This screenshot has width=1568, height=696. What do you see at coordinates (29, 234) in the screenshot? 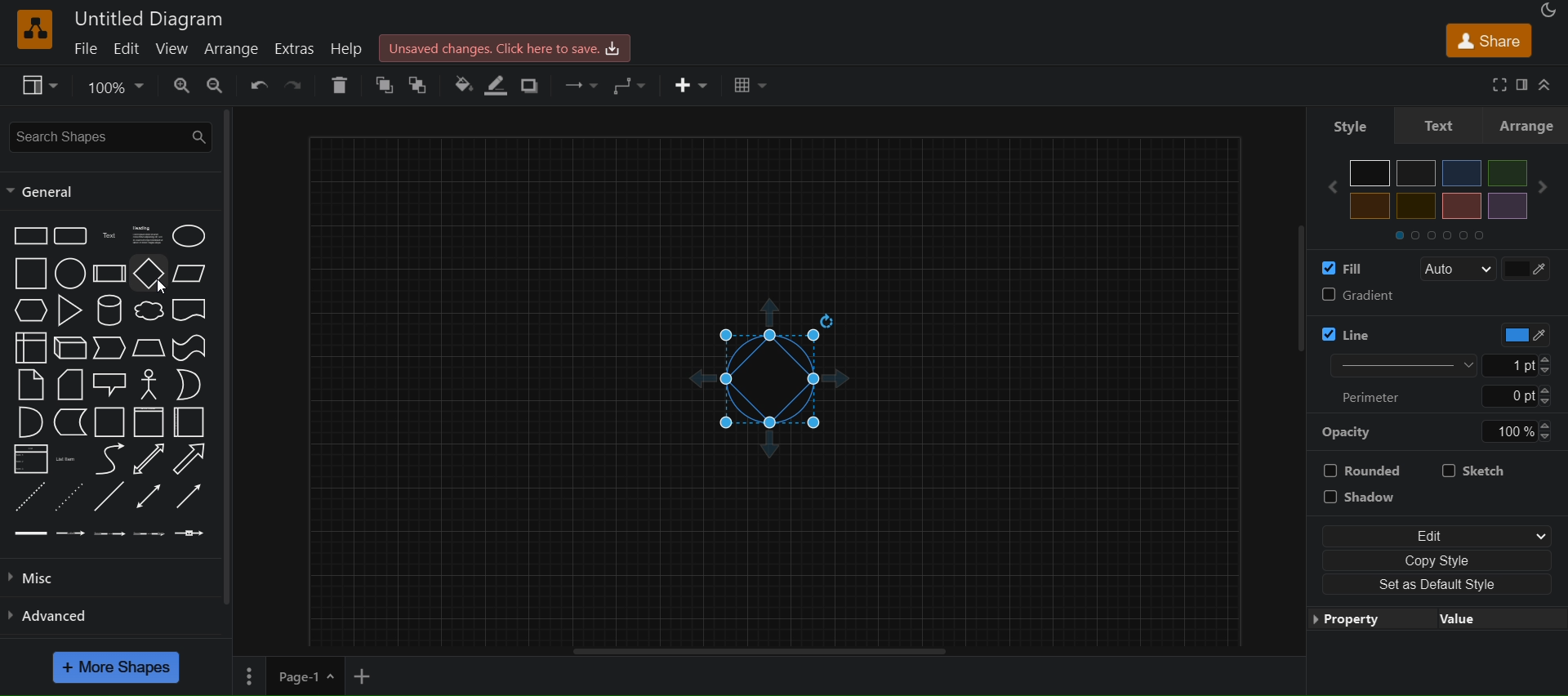
I see `rectangle` at bounding box center [29, 234].